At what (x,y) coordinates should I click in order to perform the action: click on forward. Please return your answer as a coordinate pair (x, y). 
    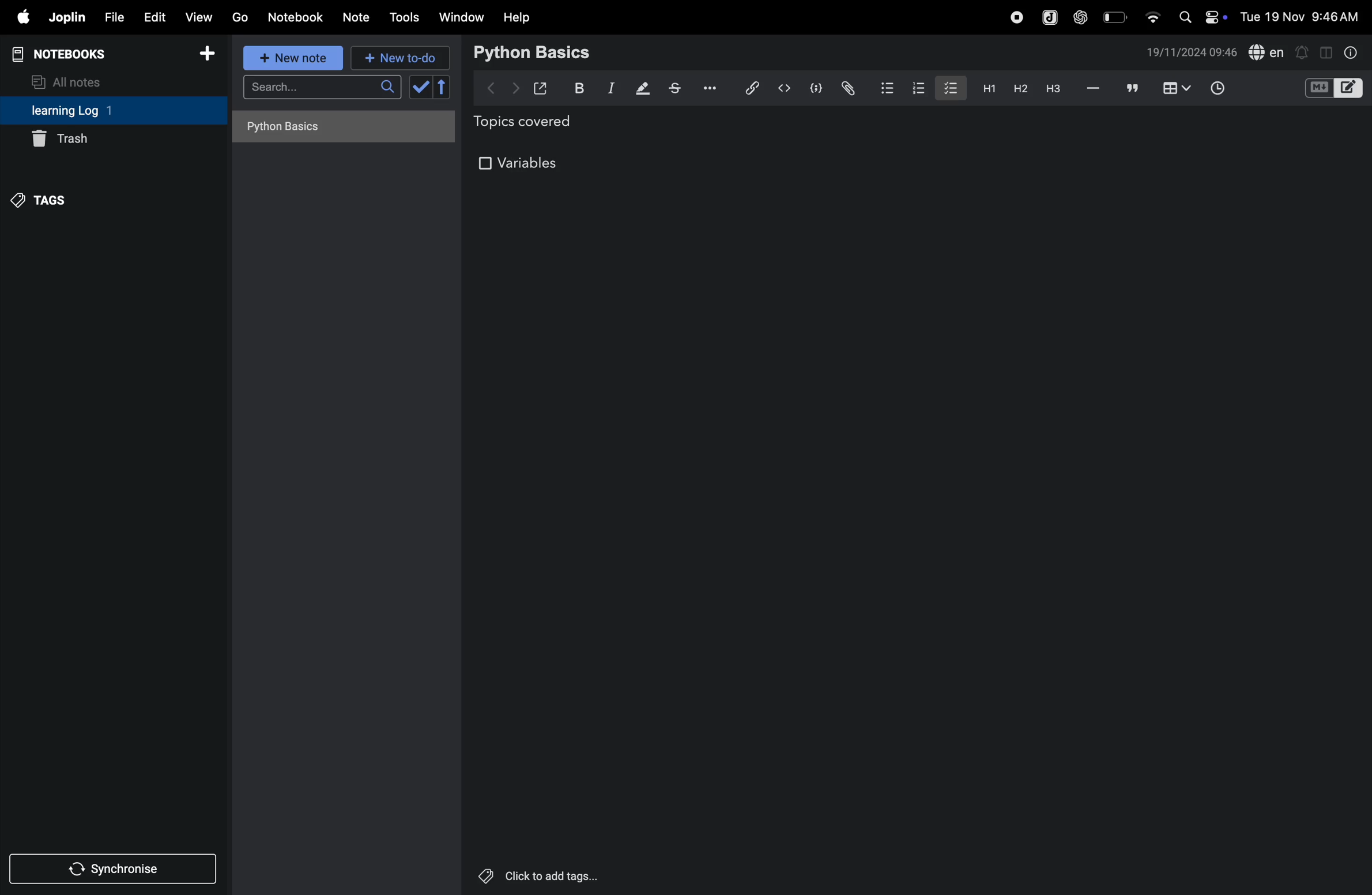
    Looking at the image, I should click on (515, 88).